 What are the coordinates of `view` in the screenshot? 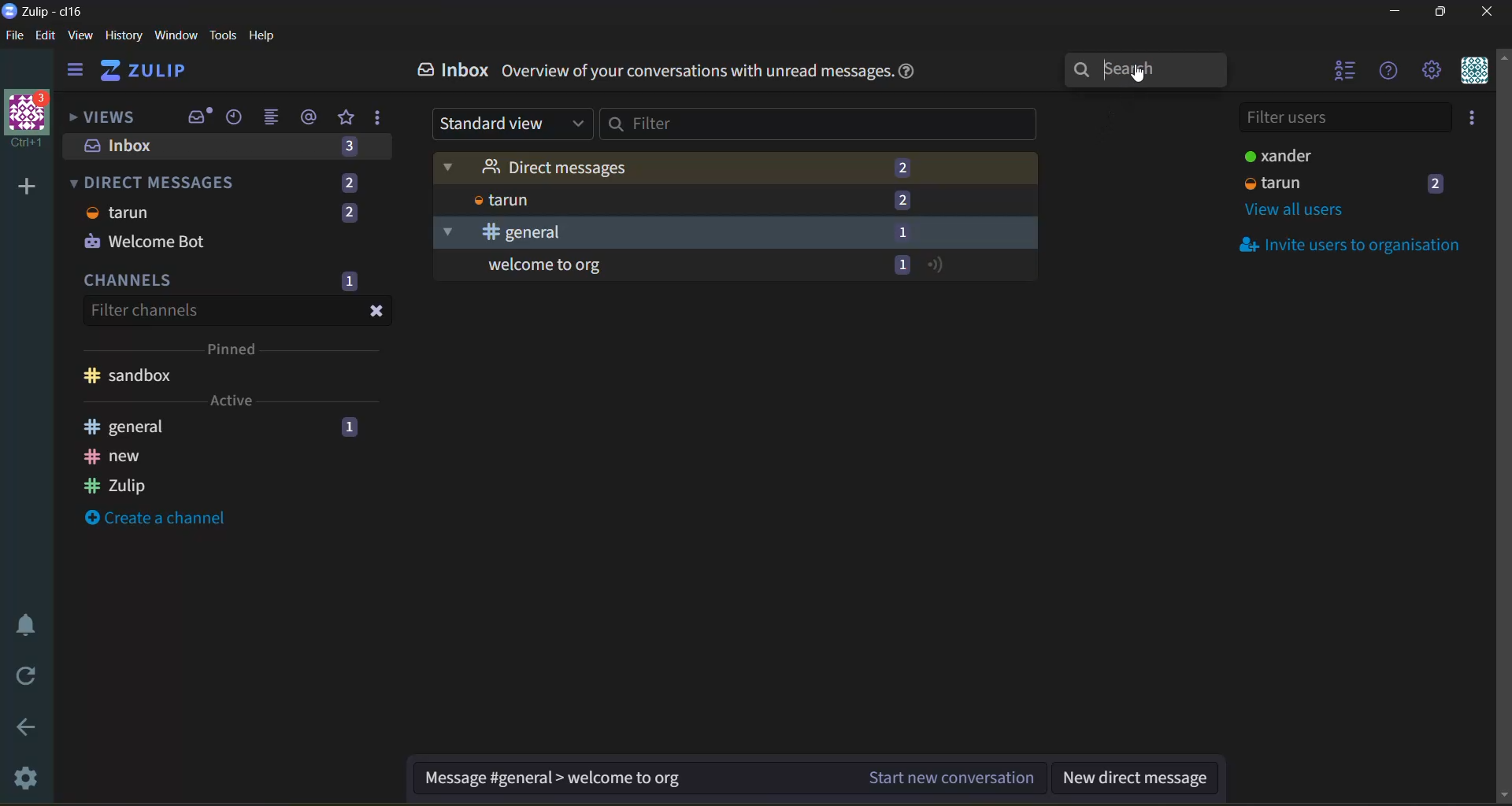 It's located at (80, 35).